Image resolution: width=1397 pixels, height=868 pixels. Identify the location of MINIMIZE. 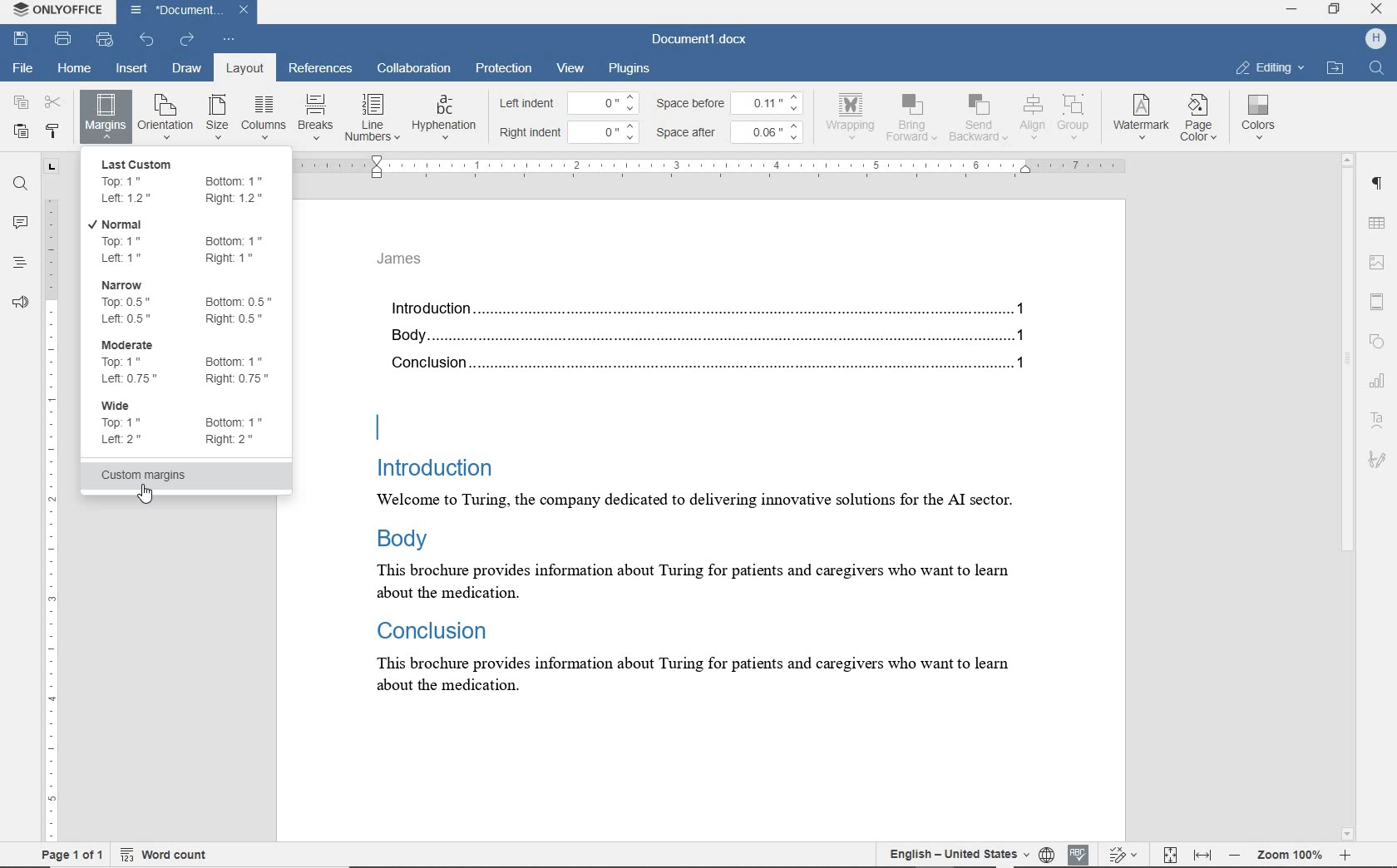
(1291, 10).